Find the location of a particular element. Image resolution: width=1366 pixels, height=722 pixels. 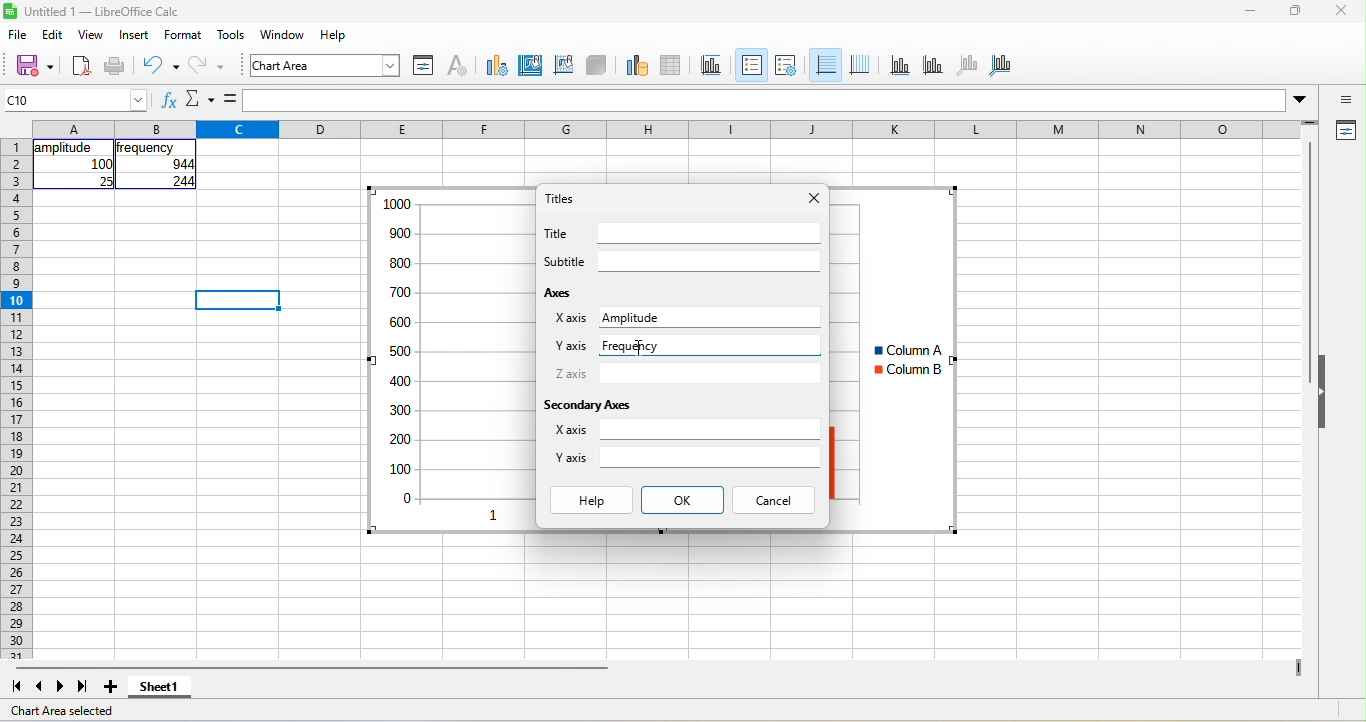

save is located at coordinates (34, 67).